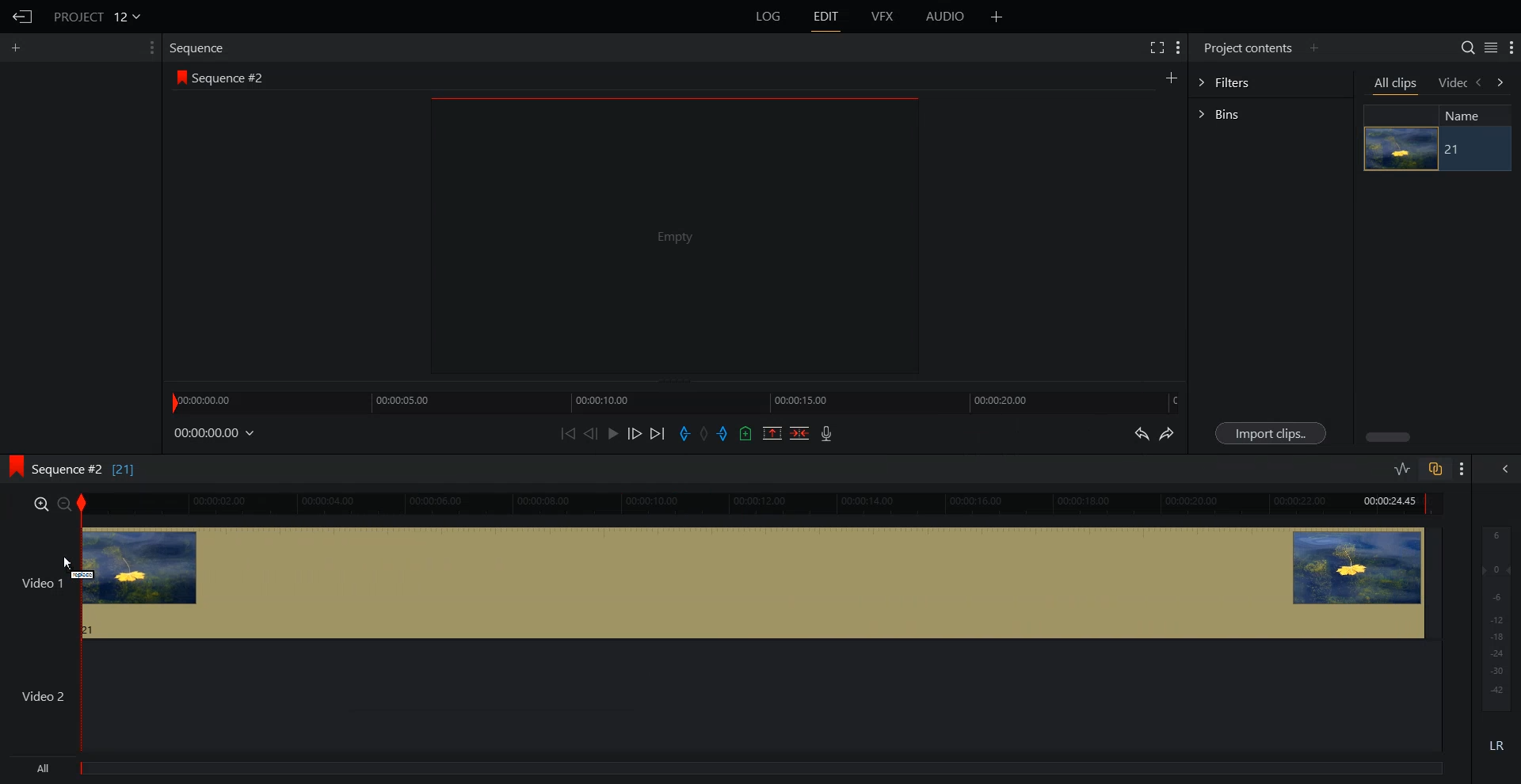 The image size is (1521, 784). I want to click on Toggle between list and tile view, so click(1488, 48).